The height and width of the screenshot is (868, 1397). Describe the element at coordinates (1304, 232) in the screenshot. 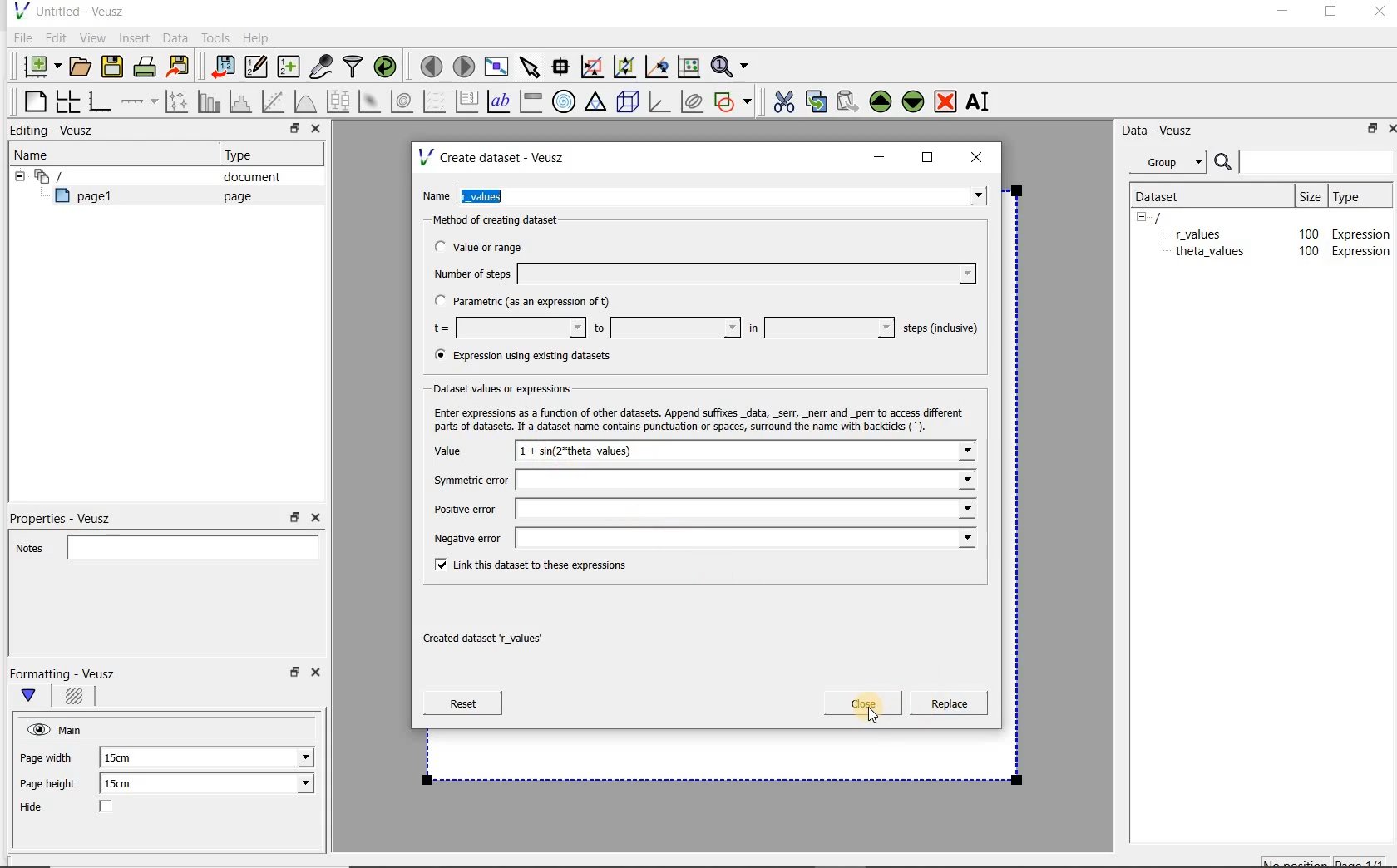

I see `100` at that location.